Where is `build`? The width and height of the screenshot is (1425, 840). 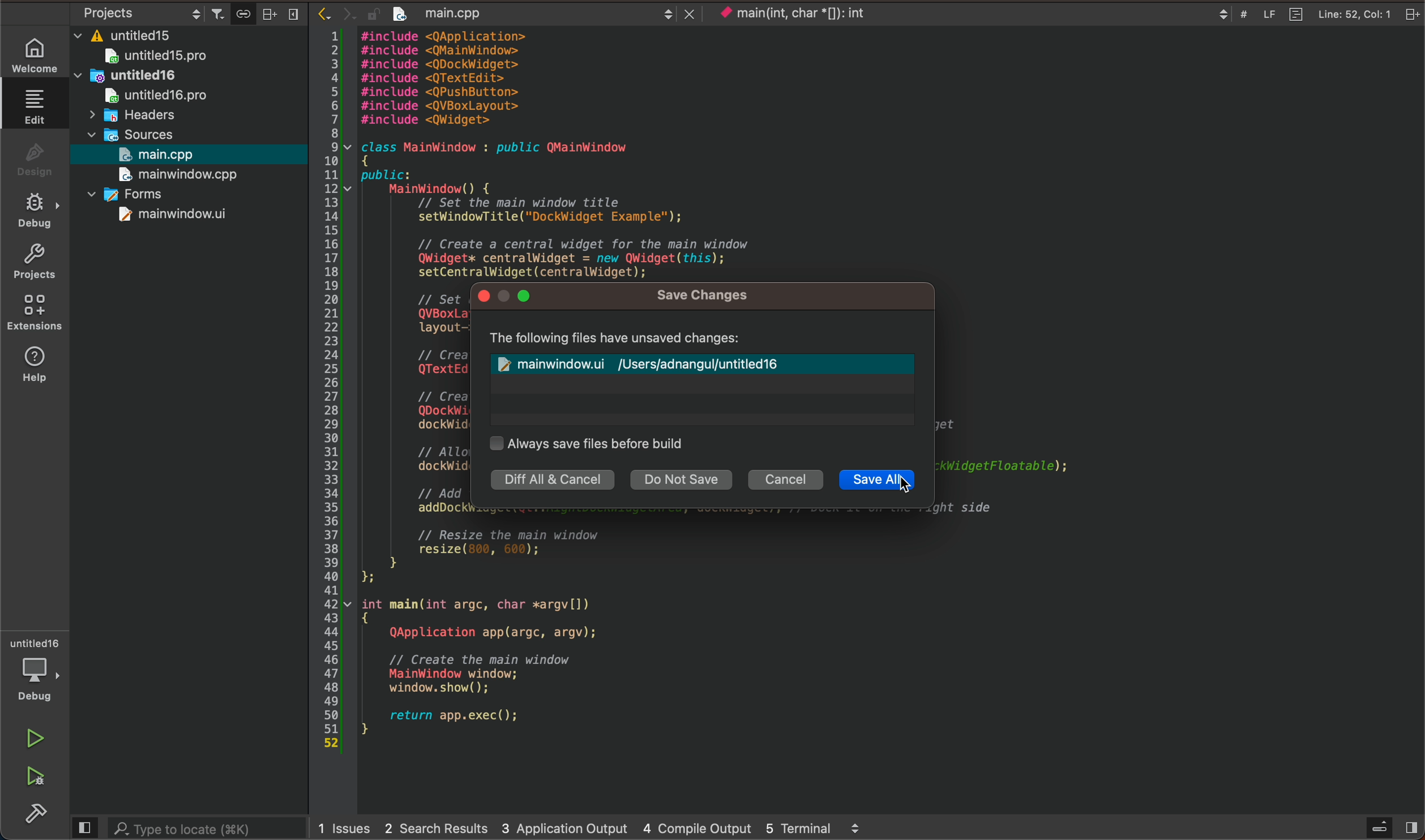
build is located at coordinates (41, 814).